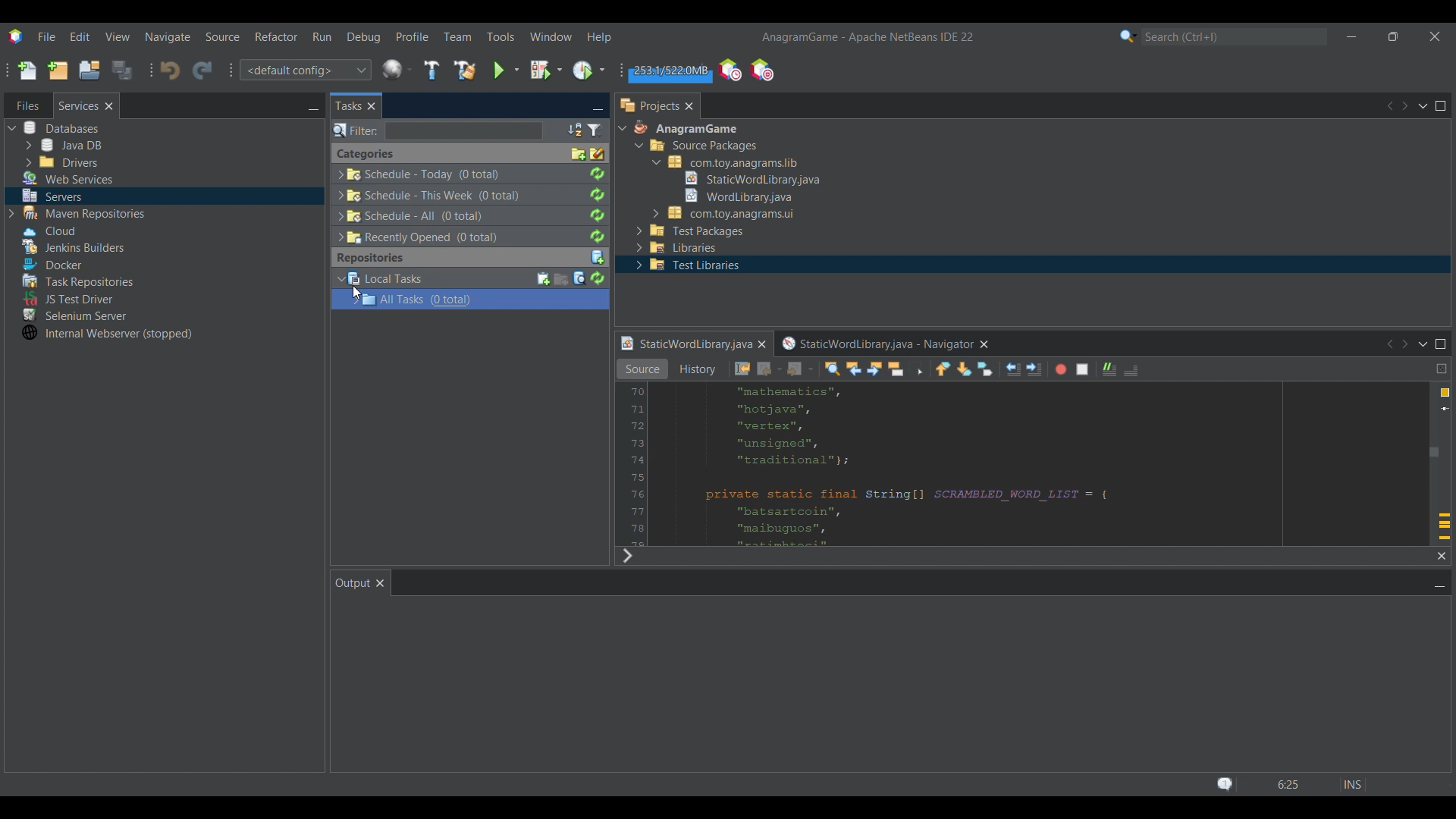 The image size is (1456, 819). Describe the element at coordinates (64, 145) in the screenshot. I see `` at that location.